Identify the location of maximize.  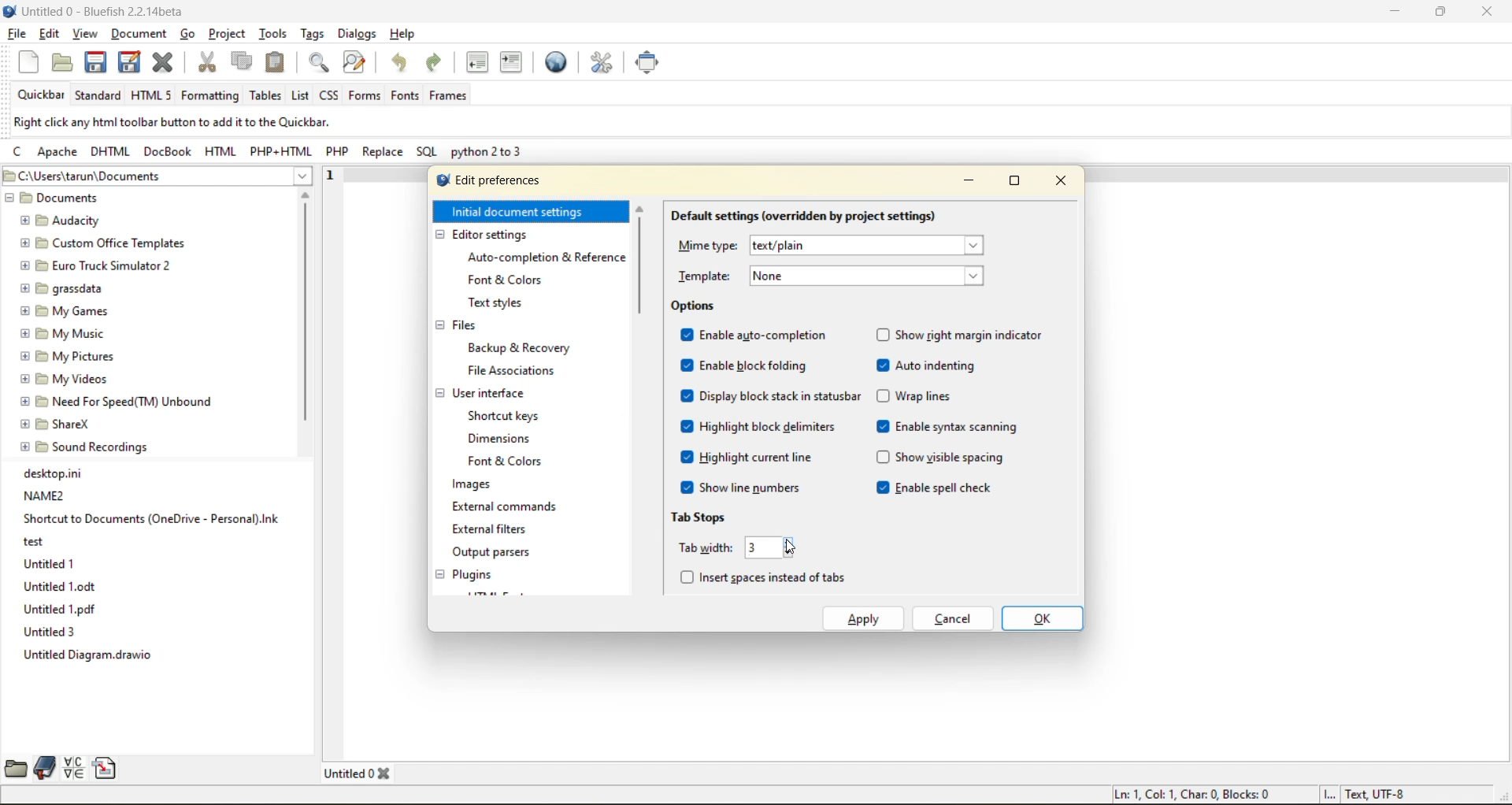
(1440, 14).